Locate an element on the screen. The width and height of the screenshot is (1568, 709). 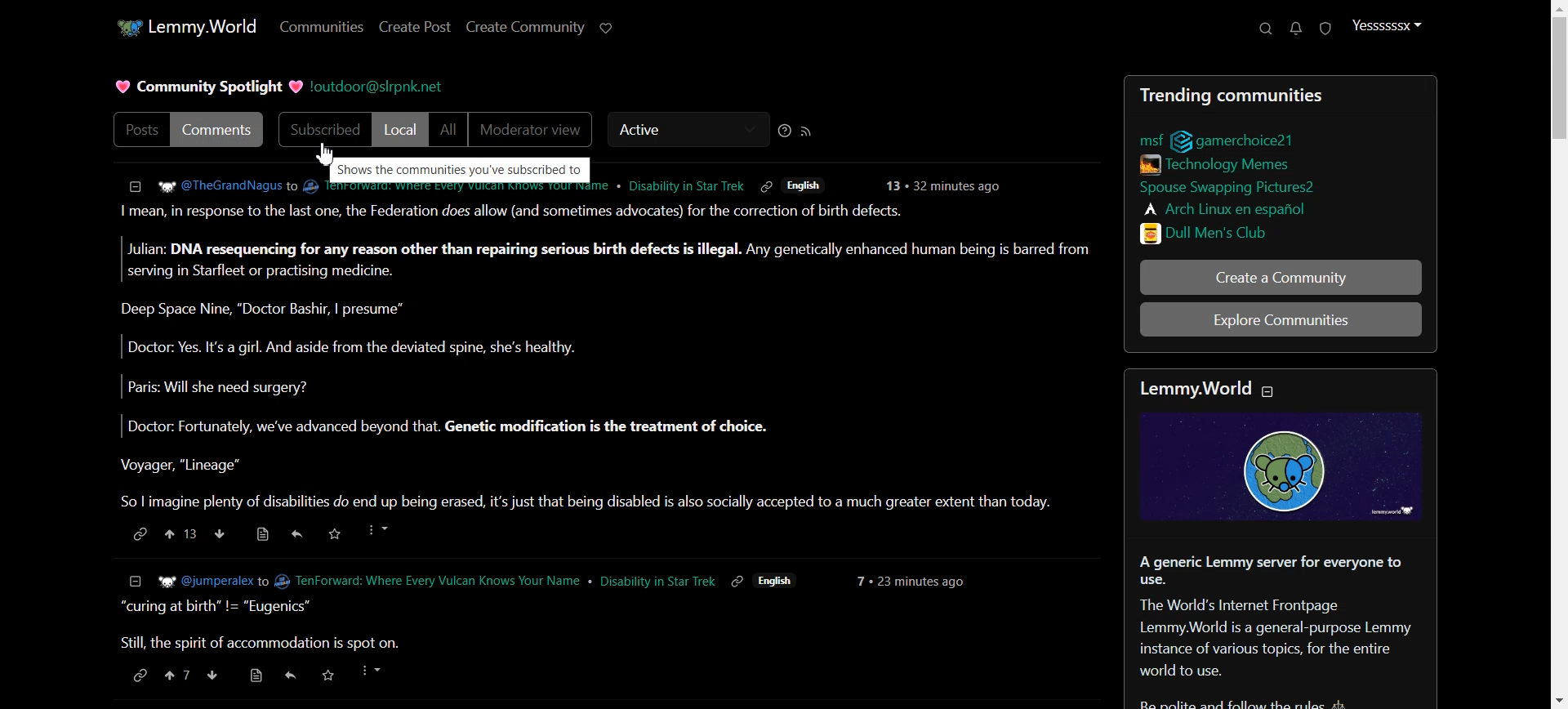
Scroll bar is located at coordinates (1553, 354).